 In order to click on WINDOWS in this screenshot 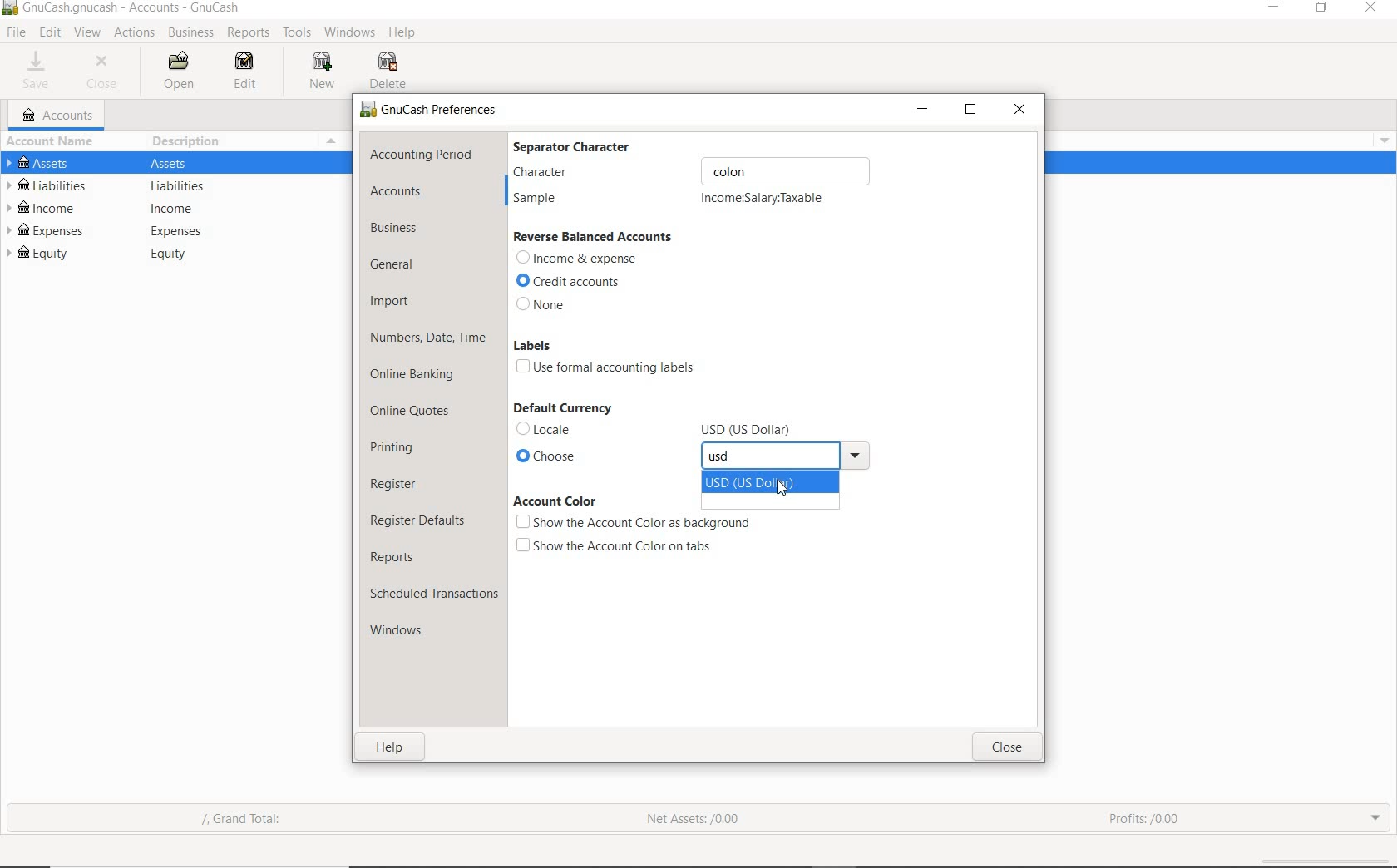, I will do `click(347, 32)`.